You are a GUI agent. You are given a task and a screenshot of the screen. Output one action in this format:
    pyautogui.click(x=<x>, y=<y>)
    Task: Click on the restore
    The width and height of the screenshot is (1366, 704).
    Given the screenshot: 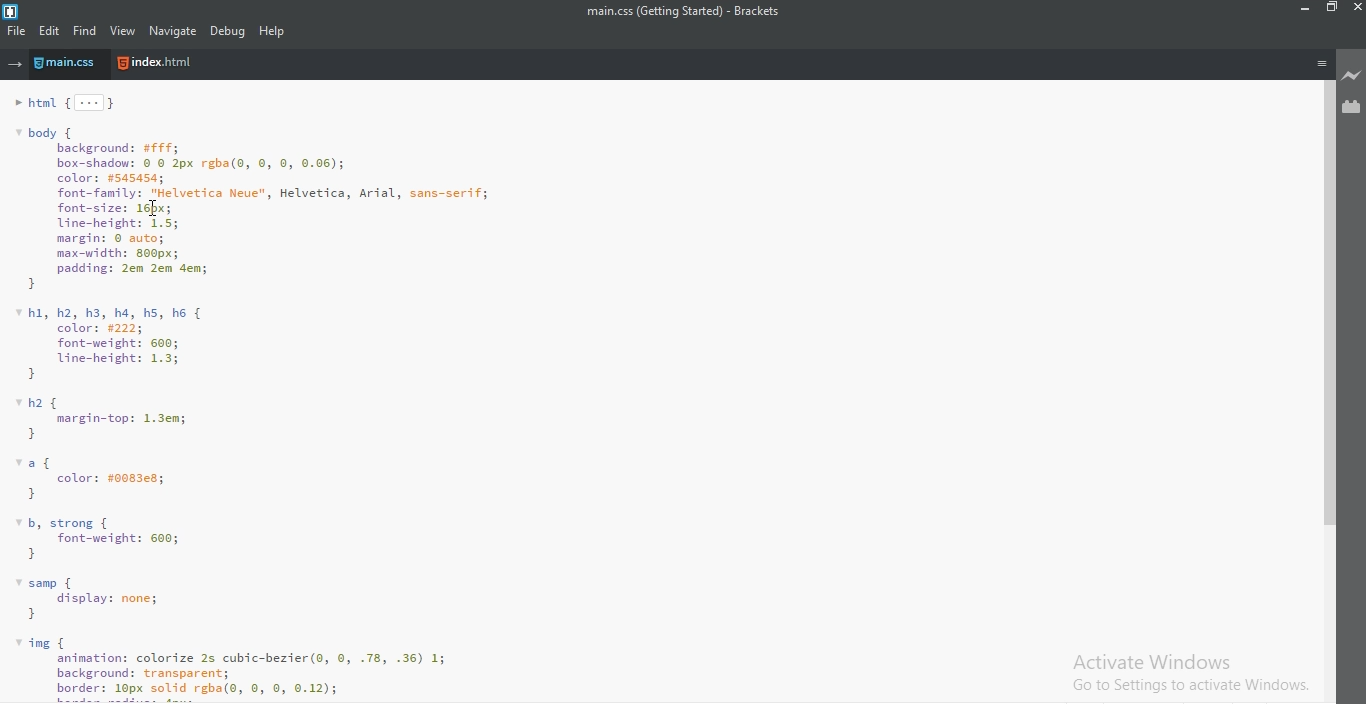 What is the action you would take?
    pyautogui.click(x=1330, y=11)
    